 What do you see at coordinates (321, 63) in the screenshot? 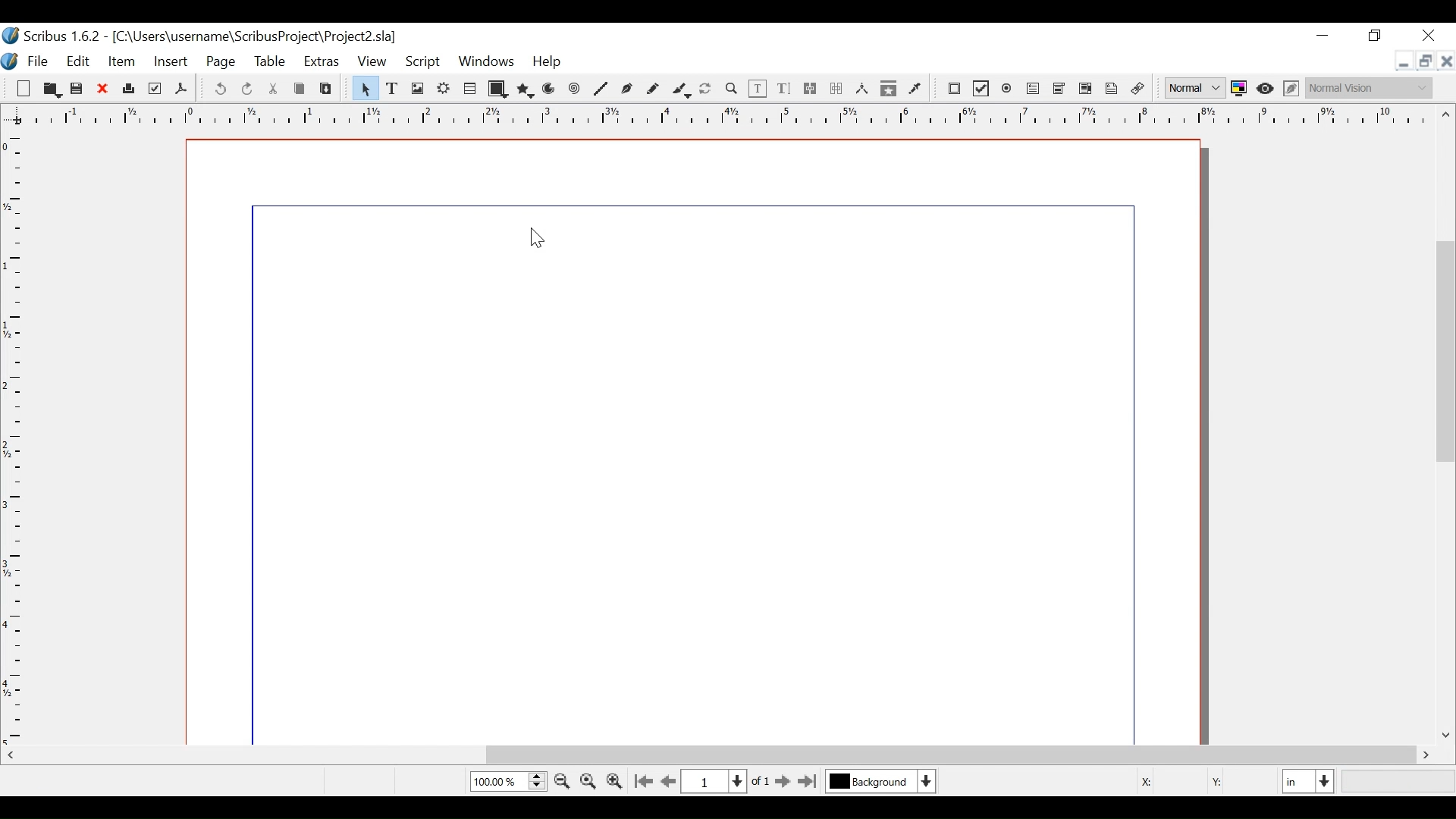
I see `Extras` at bounding box center [321, 63].